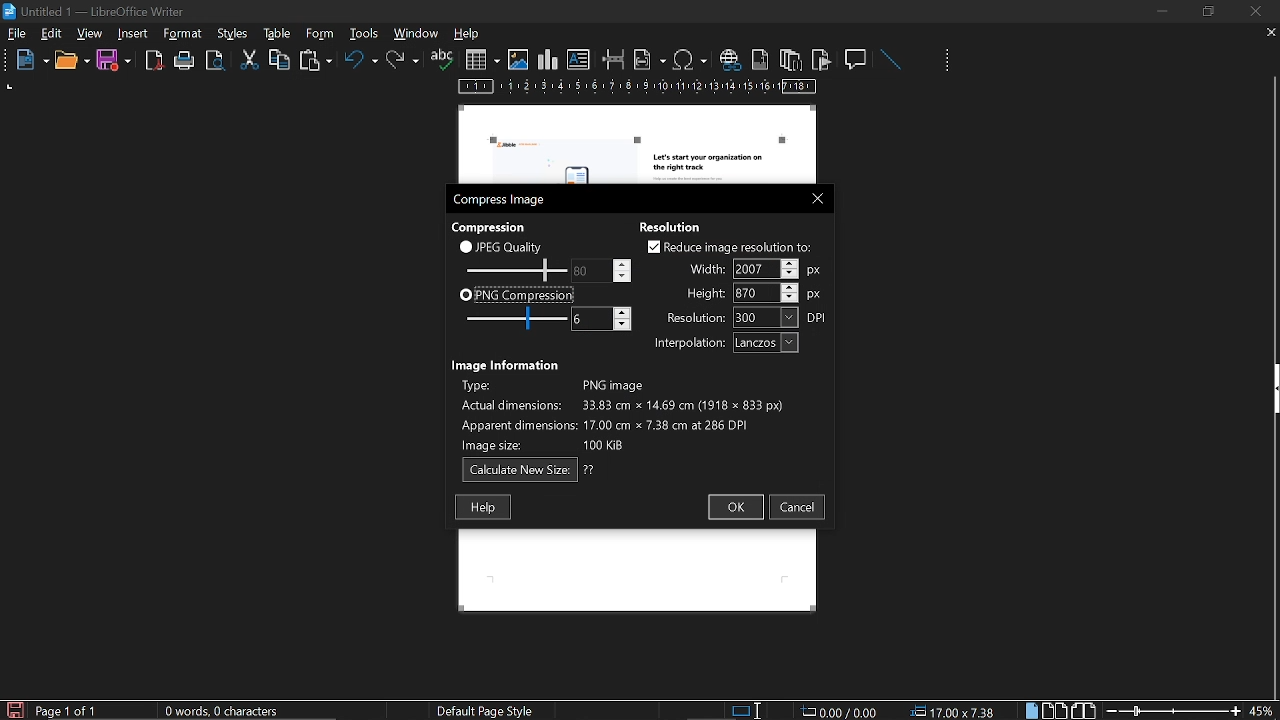 This screenshot has height=720, width=1280. I want to click on side bar menu, so click(1272, 389).